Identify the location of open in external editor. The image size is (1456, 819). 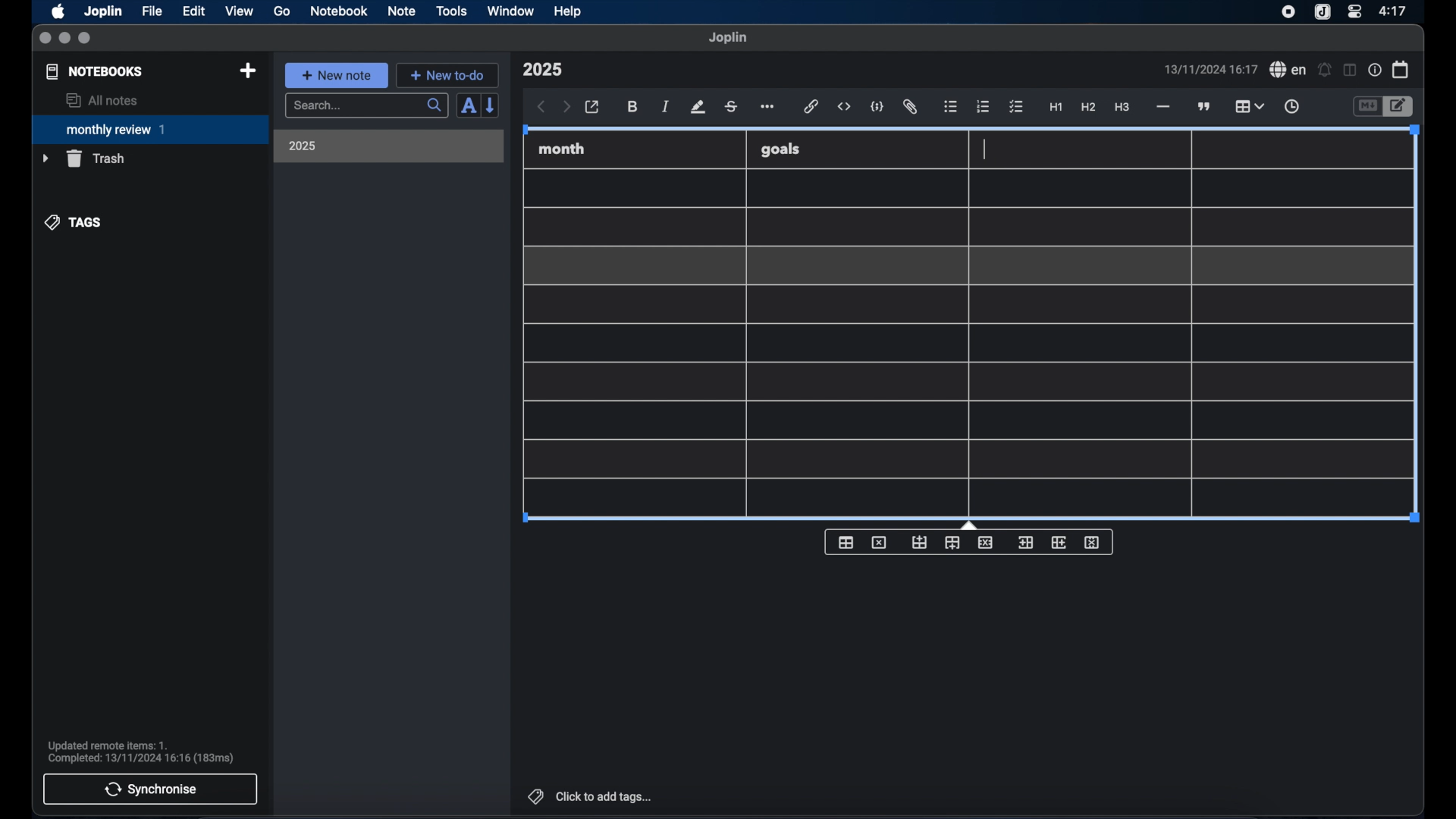
(593, 108).